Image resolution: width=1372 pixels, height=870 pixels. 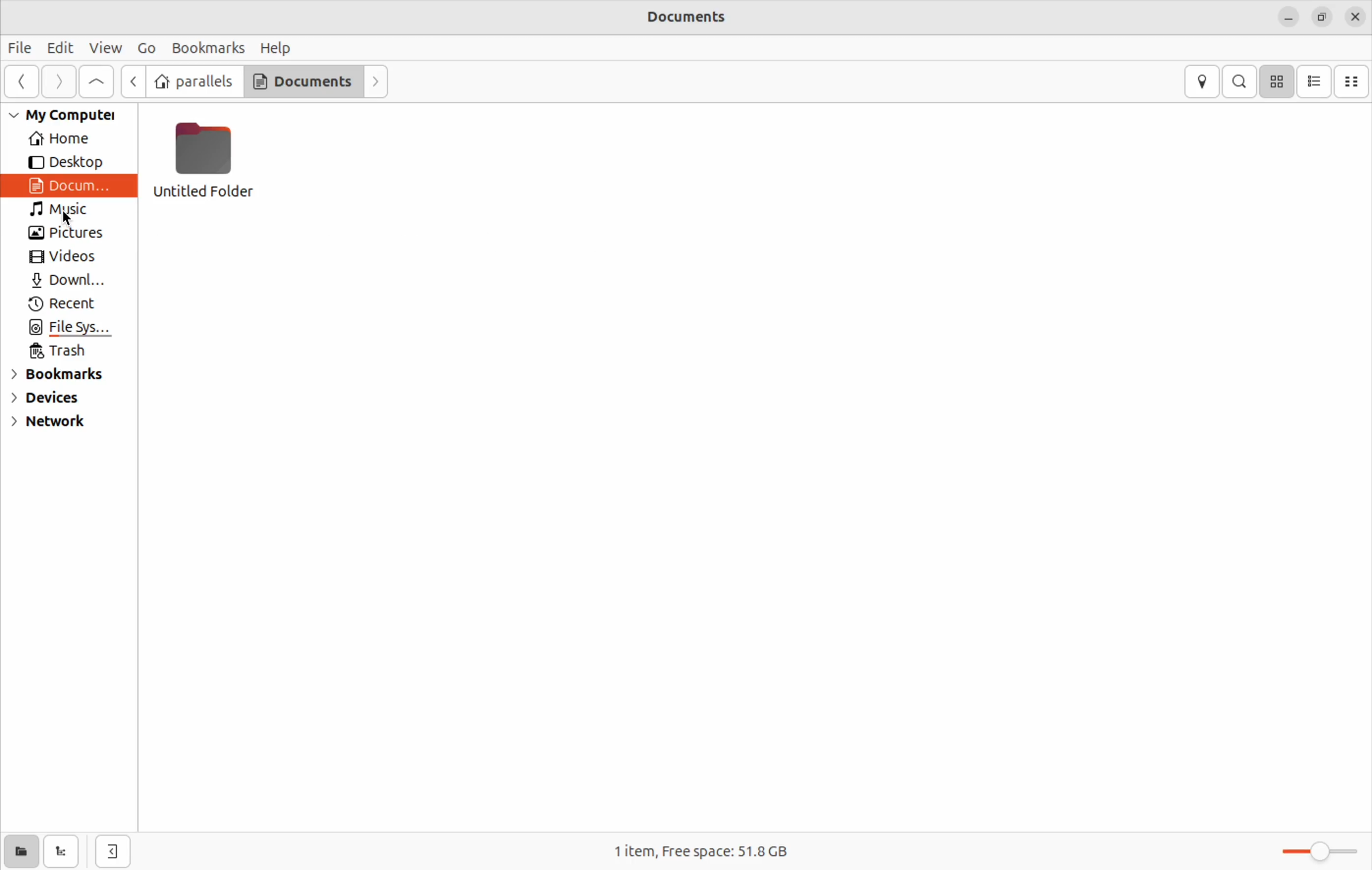 I want to click on close, so click(x=1355, y=17).